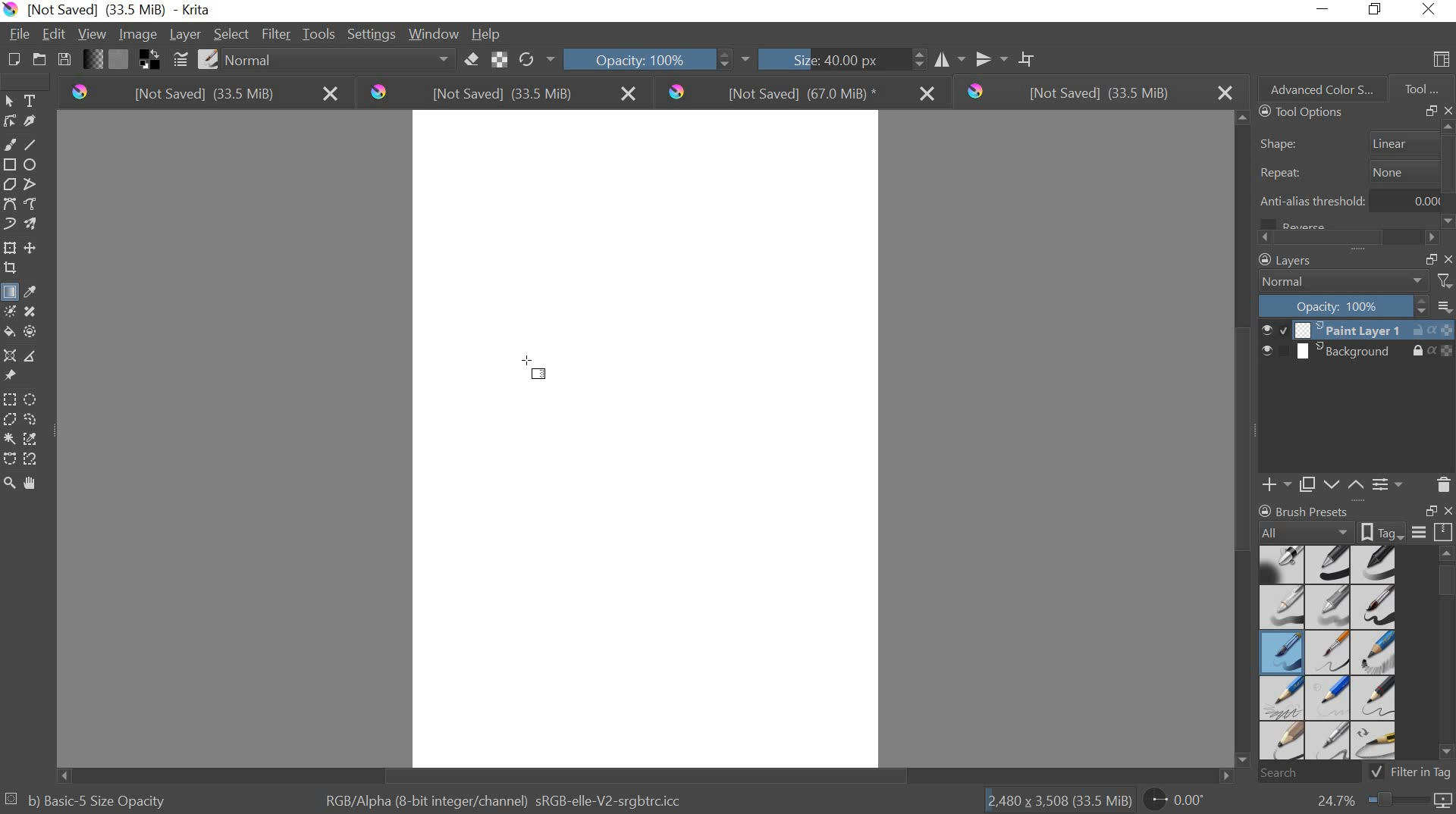  What do you see at coordinates (1345, 305) in the screenshot?
I see `OPACITY` at bounding box center [1345, 305].